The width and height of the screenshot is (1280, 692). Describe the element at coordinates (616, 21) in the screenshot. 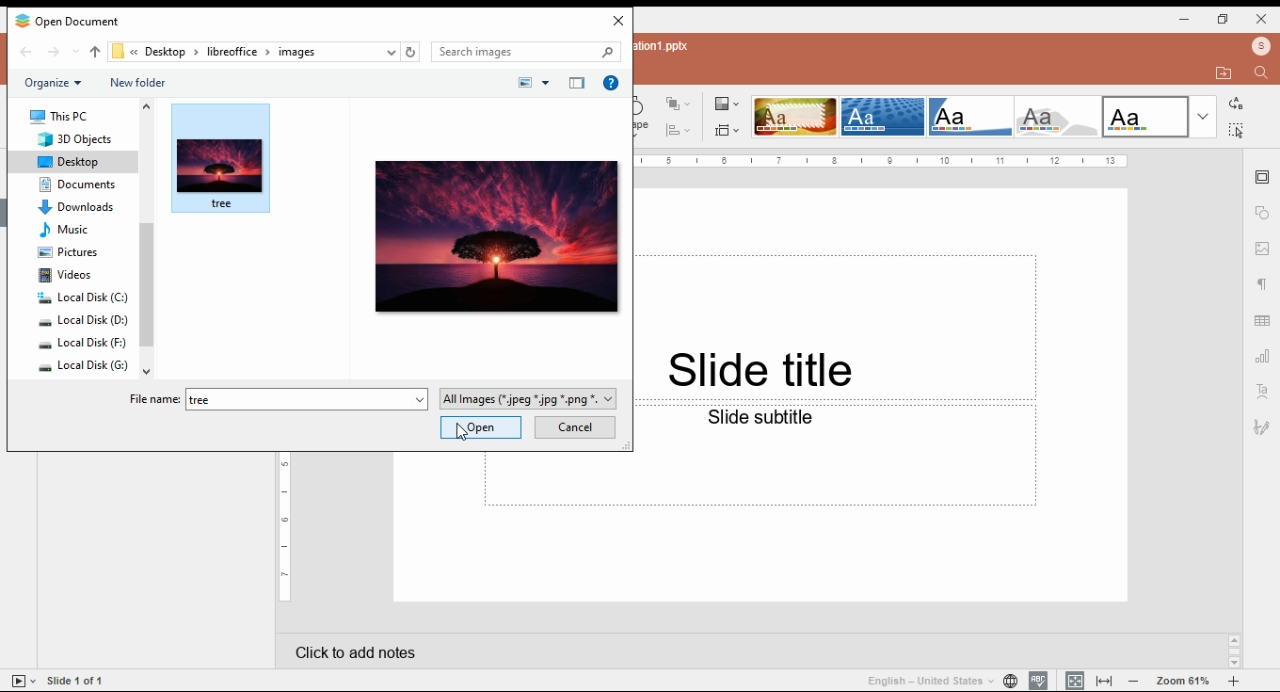

I see `close window` at that location.